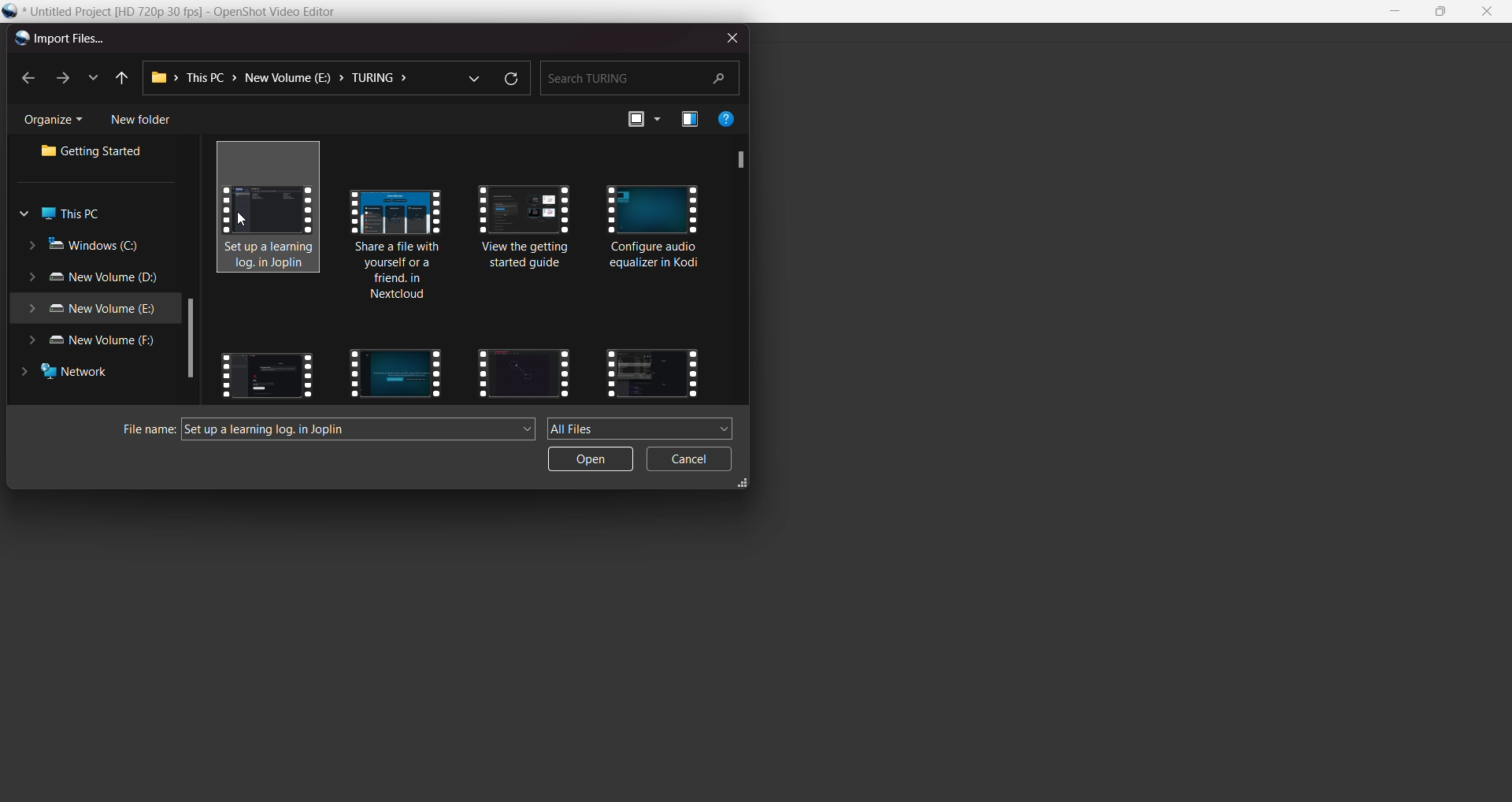  What do you see at coordinates (29, 80) in the screenshot?
I see `back` at bounding box center [29, 80].